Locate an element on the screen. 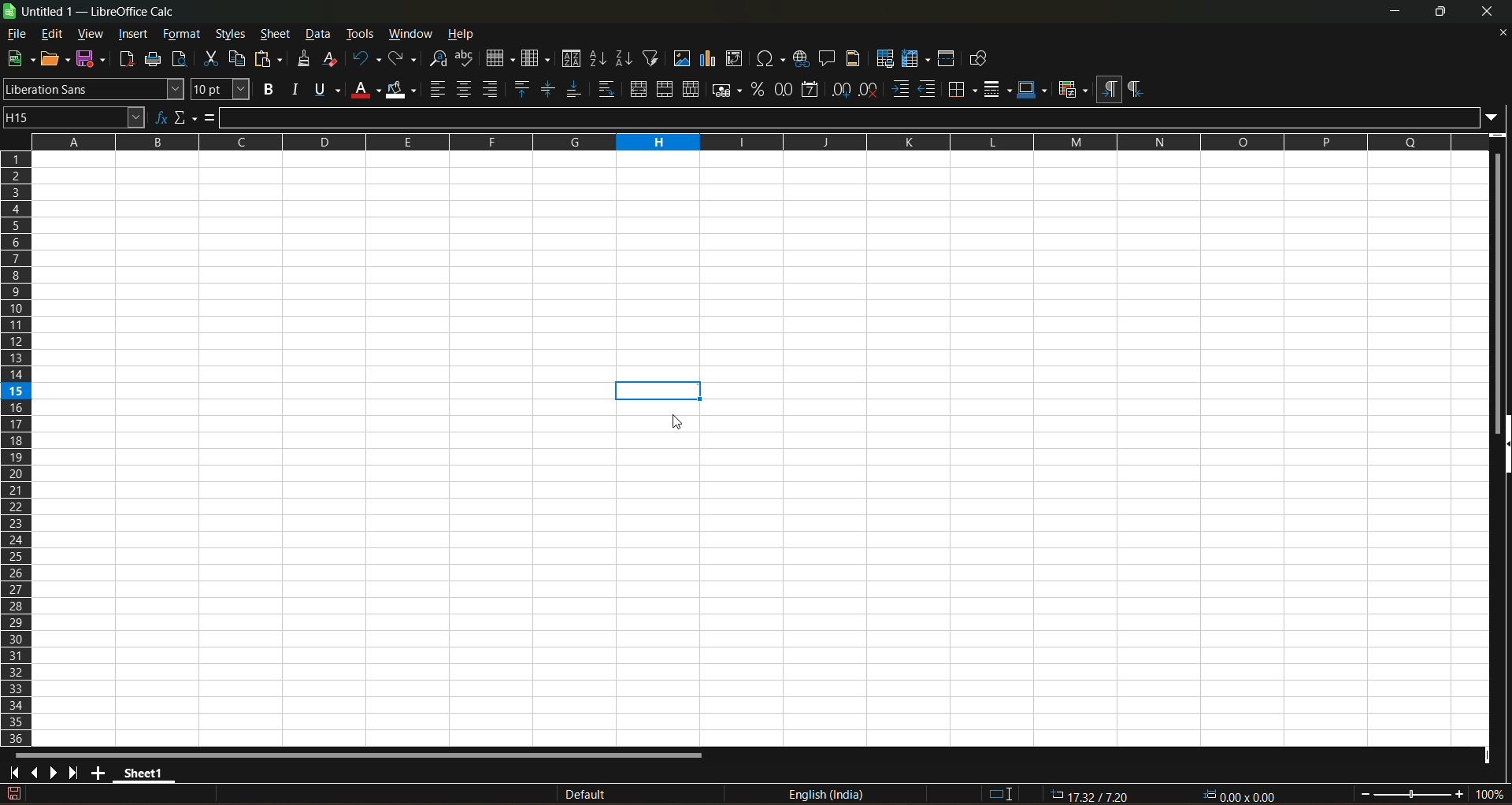  formula is located at coordinates (209, 117).